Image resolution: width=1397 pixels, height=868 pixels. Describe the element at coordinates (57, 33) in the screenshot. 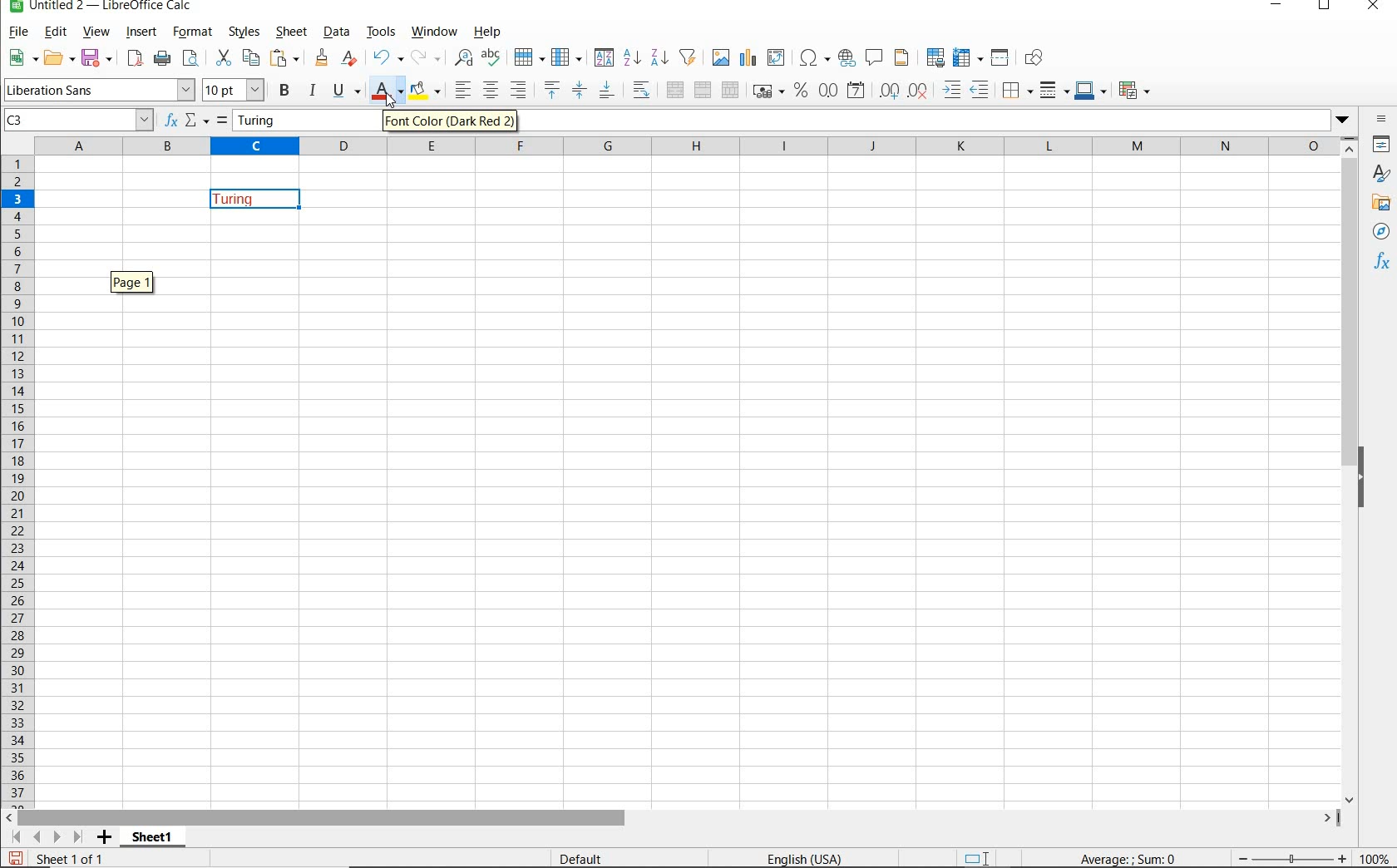

I see `EDIT` at that location.